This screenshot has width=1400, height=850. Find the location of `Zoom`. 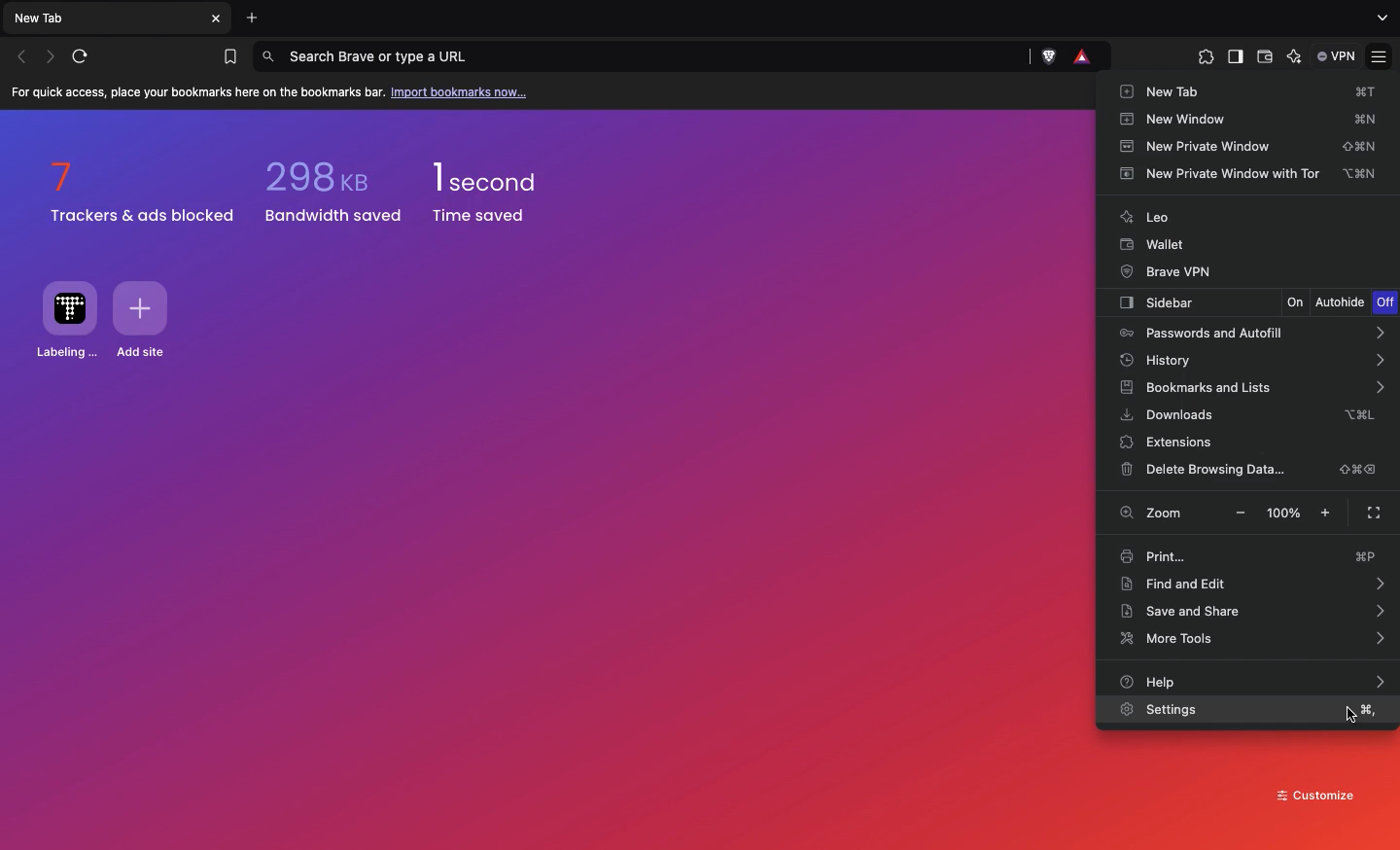

Zoom is located at coordinates (1170, 513).